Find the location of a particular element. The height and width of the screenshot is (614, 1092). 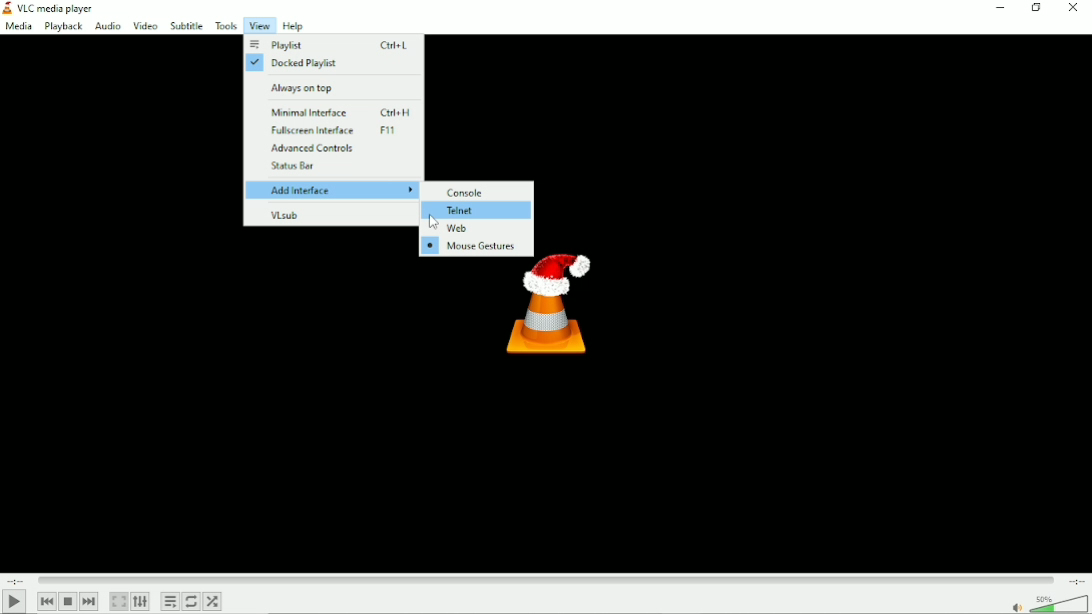

Add interface is located at coordinates (333, 190).